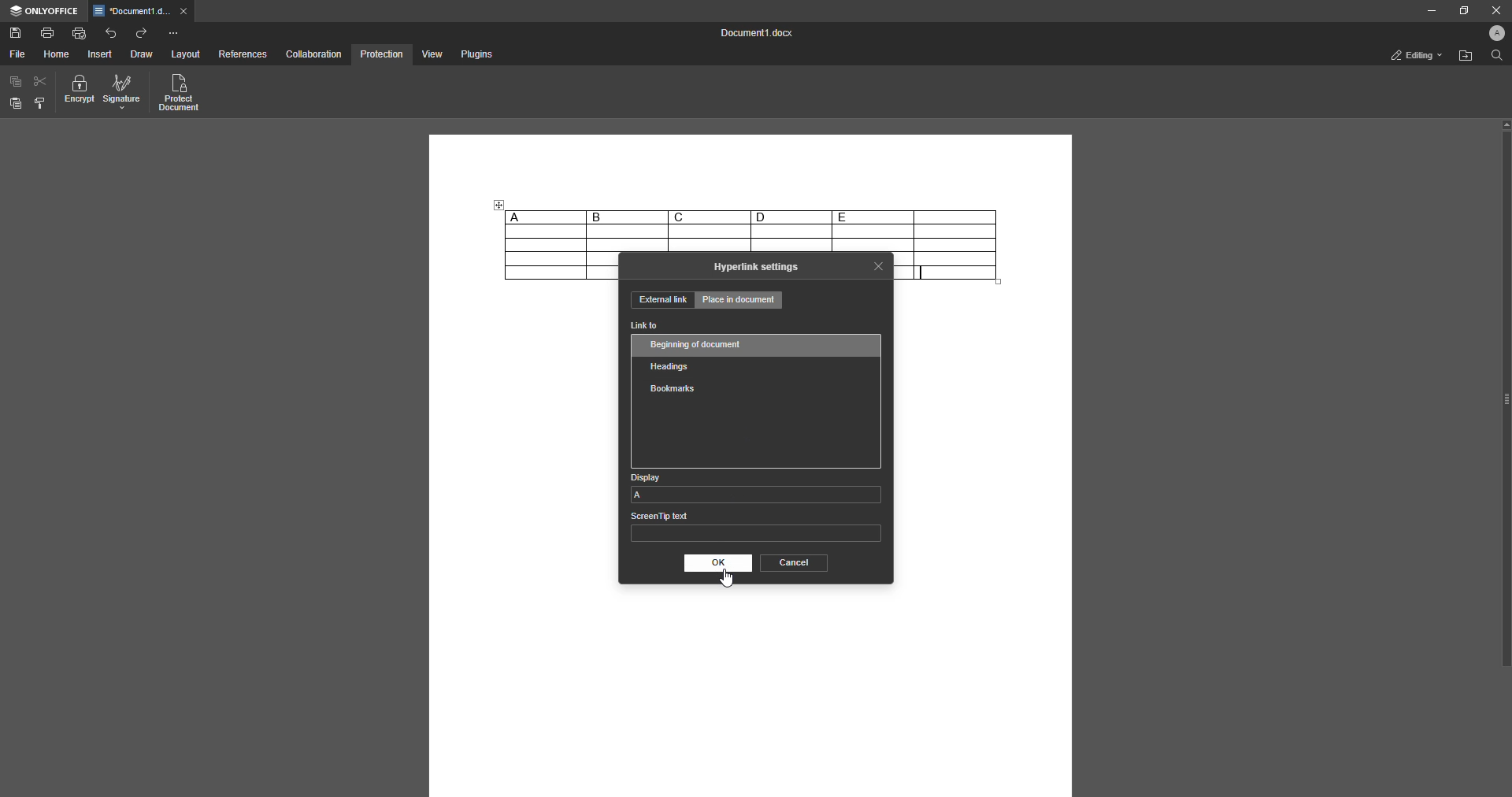 This screenshot has width=1512, height=797. Describe the element at coordinates (41, 103) in the screenshot. I see `Style` at that location.